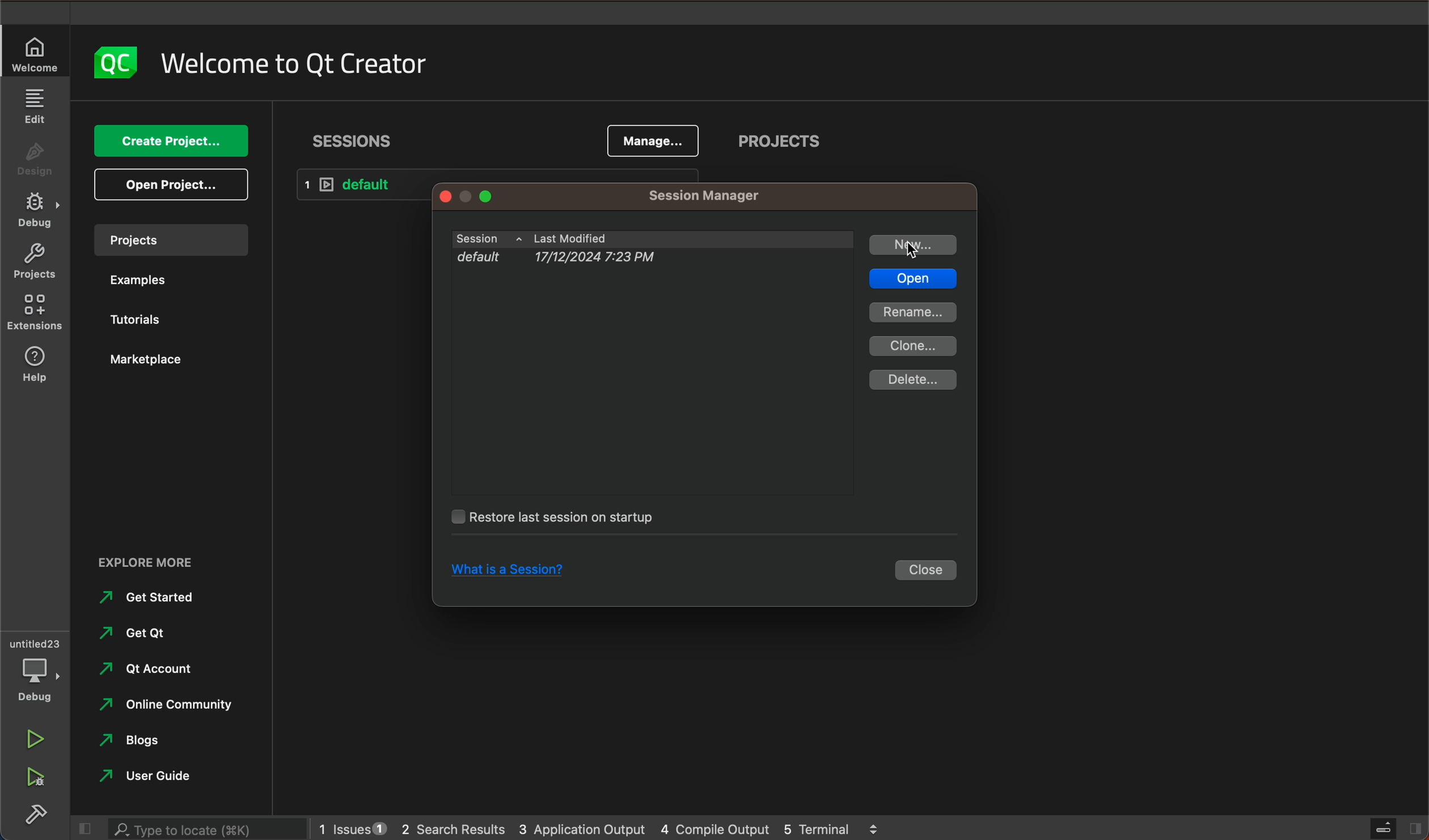 The width and height of the screenshot is (1429, 840). I want to click on explore more, so click(168, 554).